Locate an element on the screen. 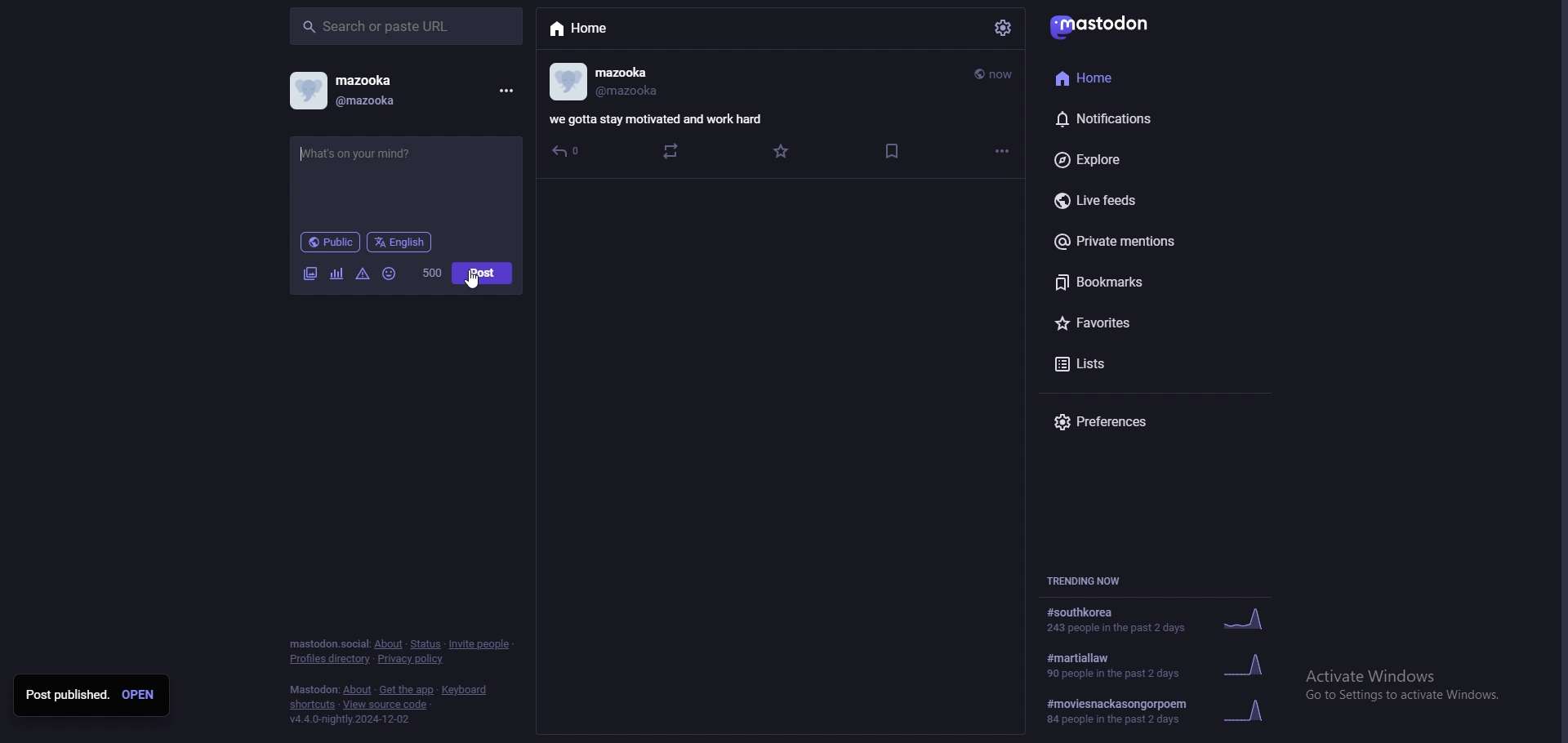  post published is located at coordinates (67, 695).